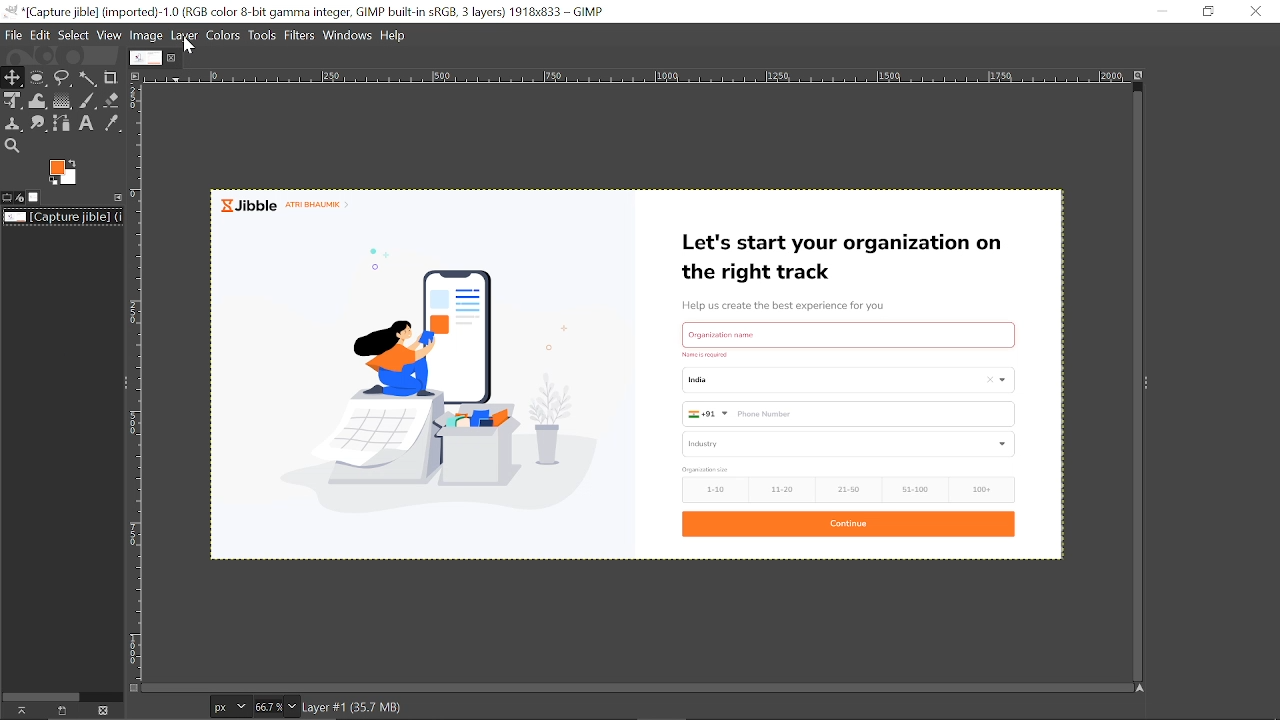 The height and width of the screenshot is (720, 1280). I want to click on Ellipse select tool, so click(38, 78).